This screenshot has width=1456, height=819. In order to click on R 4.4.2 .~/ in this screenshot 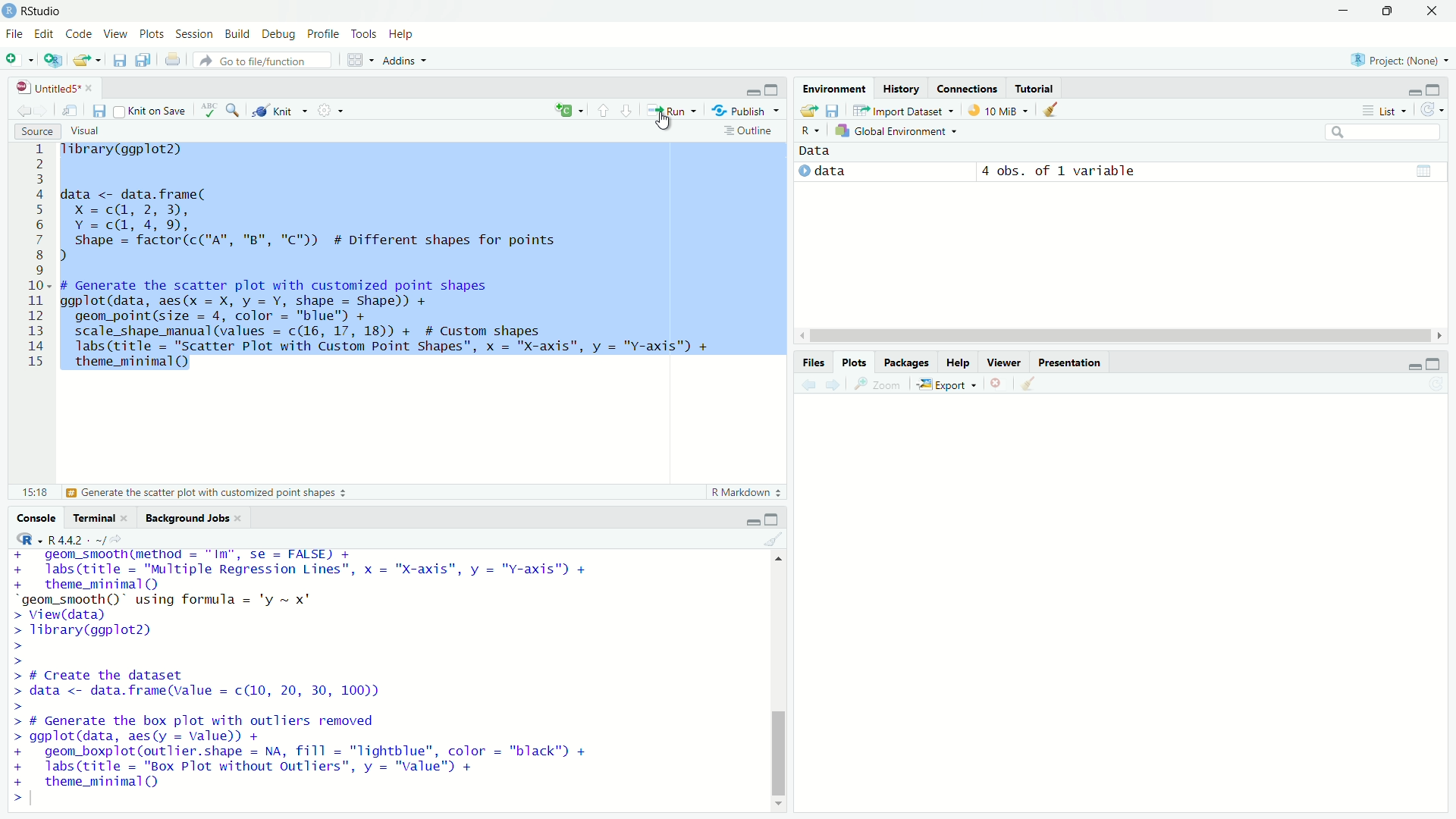, I will do `click(77, 540)`.